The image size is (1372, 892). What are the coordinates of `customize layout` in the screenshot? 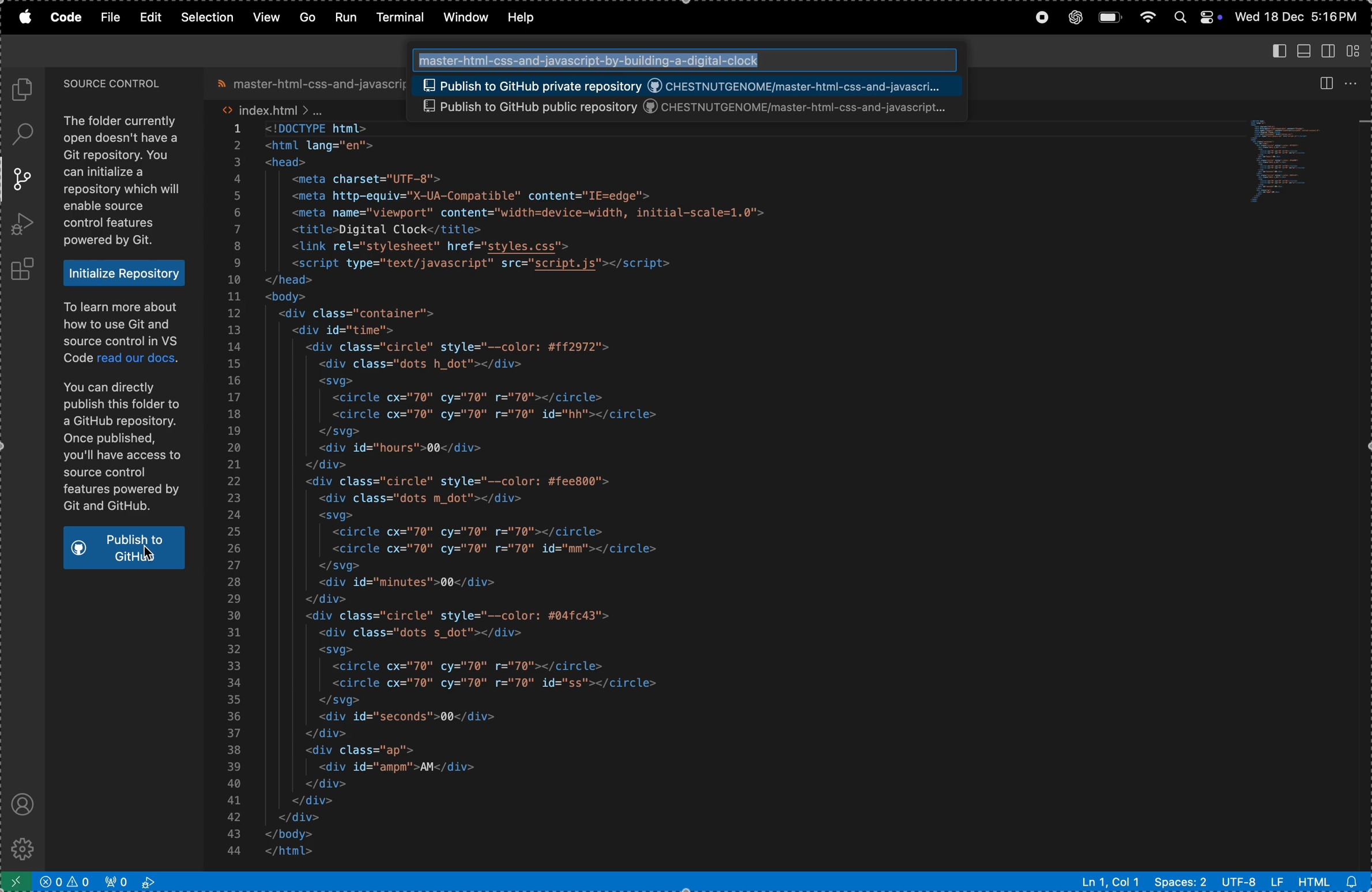 It's located at (1354, 50).